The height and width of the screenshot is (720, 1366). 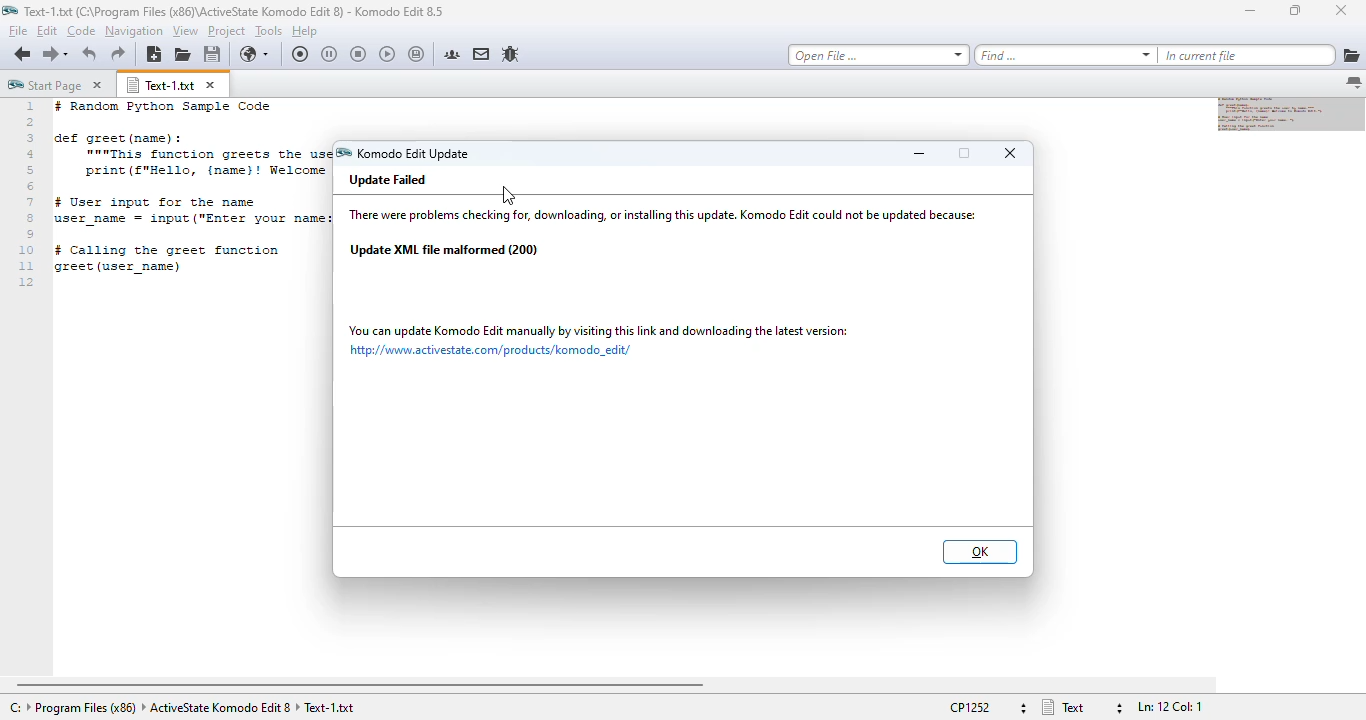 What do you see at coordinates (1246, 56) in the screenshot?
I see `in current file` at bounding box center [1246, 56].